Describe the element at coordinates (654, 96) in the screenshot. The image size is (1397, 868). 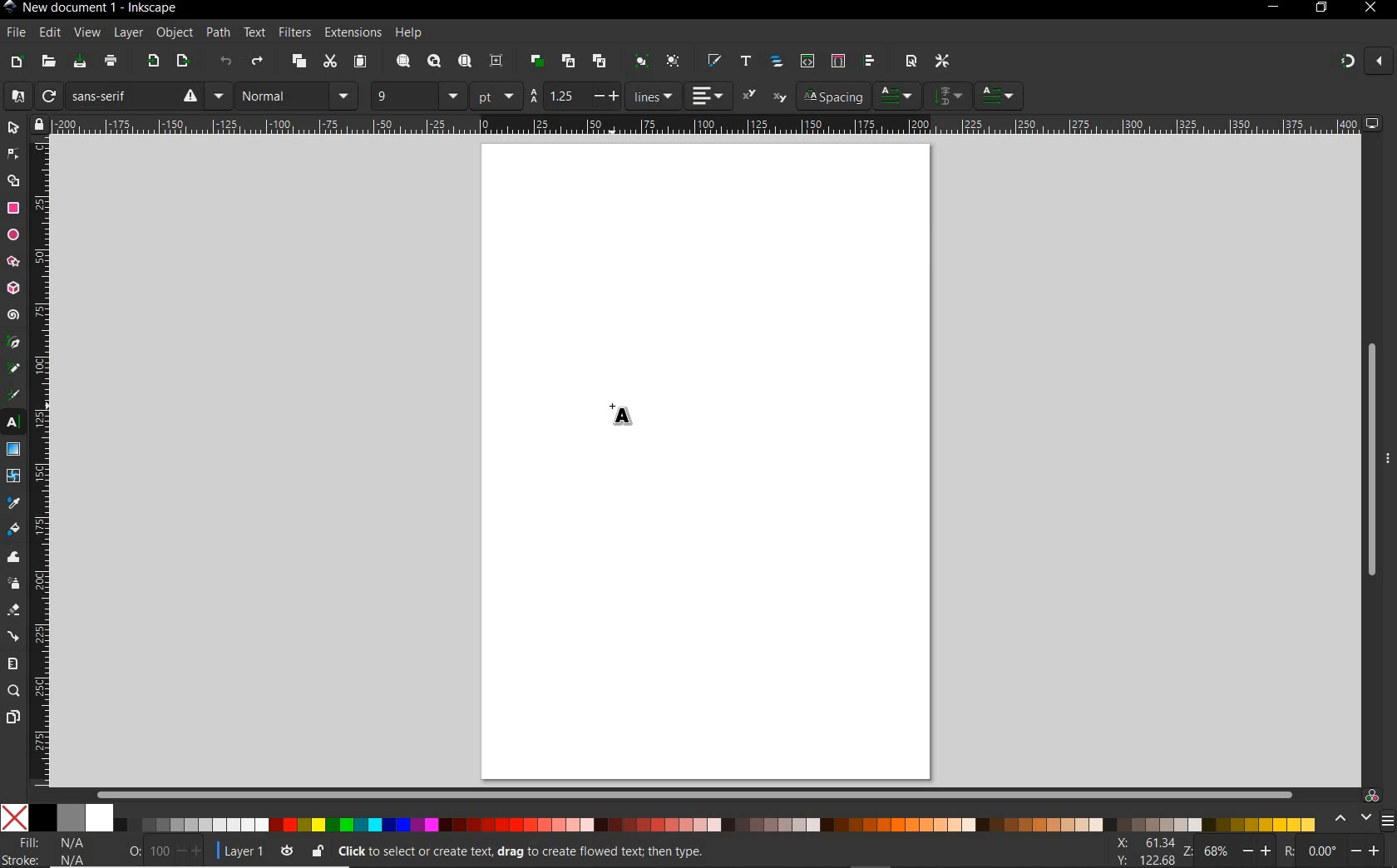
I see `lines` at that location.